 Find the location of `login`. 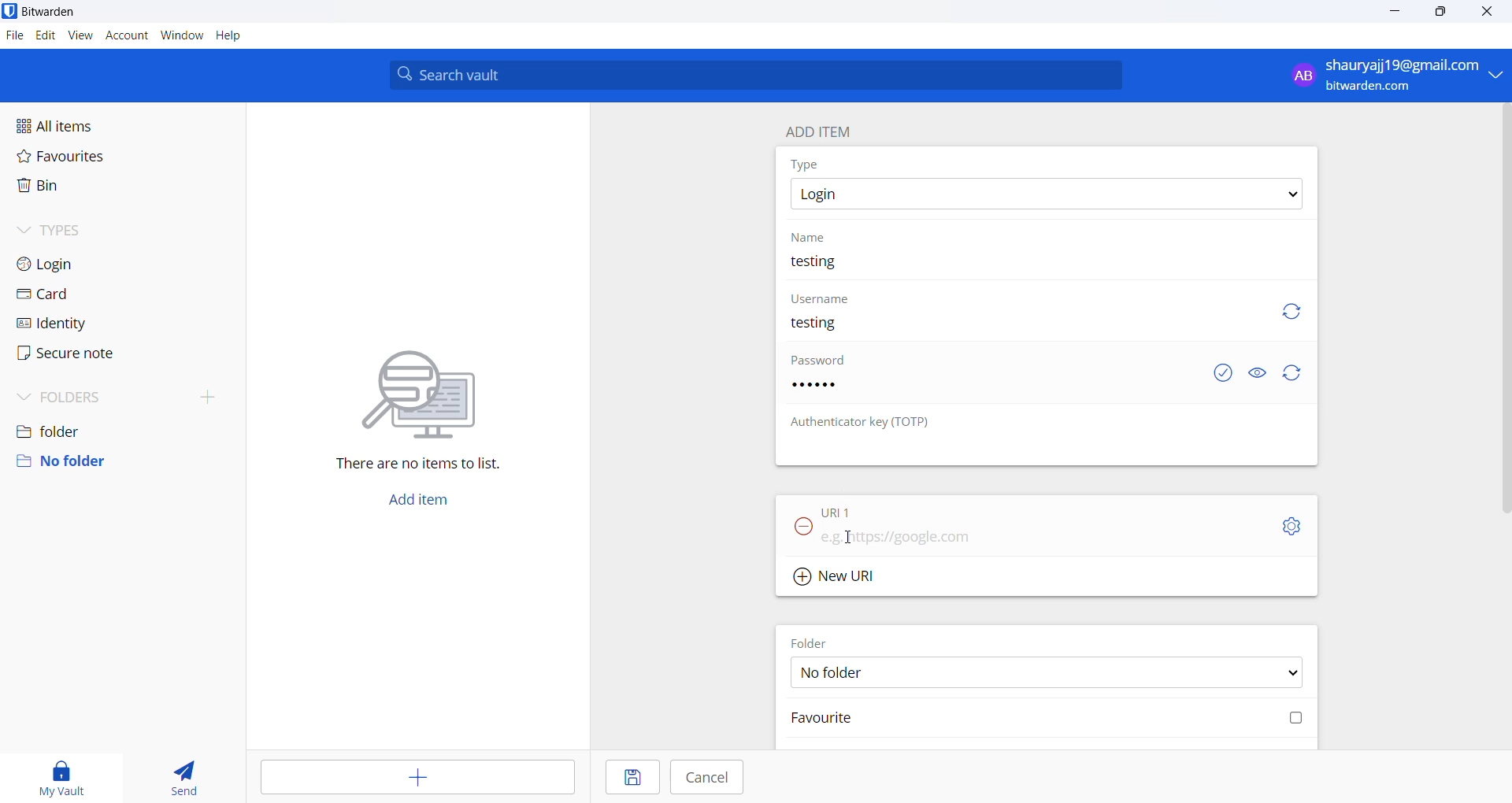

login is located at coordinates (82, 265).